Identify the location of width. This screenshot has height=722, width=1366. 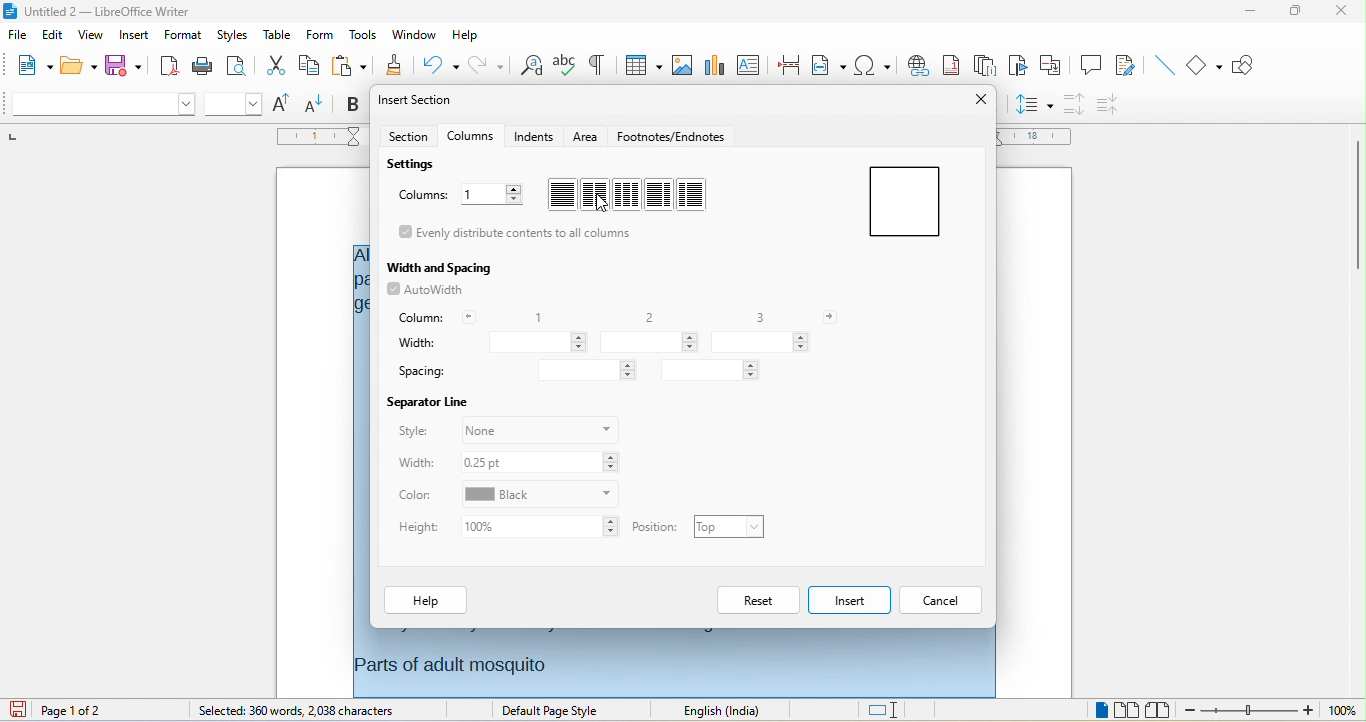
(416, 463).